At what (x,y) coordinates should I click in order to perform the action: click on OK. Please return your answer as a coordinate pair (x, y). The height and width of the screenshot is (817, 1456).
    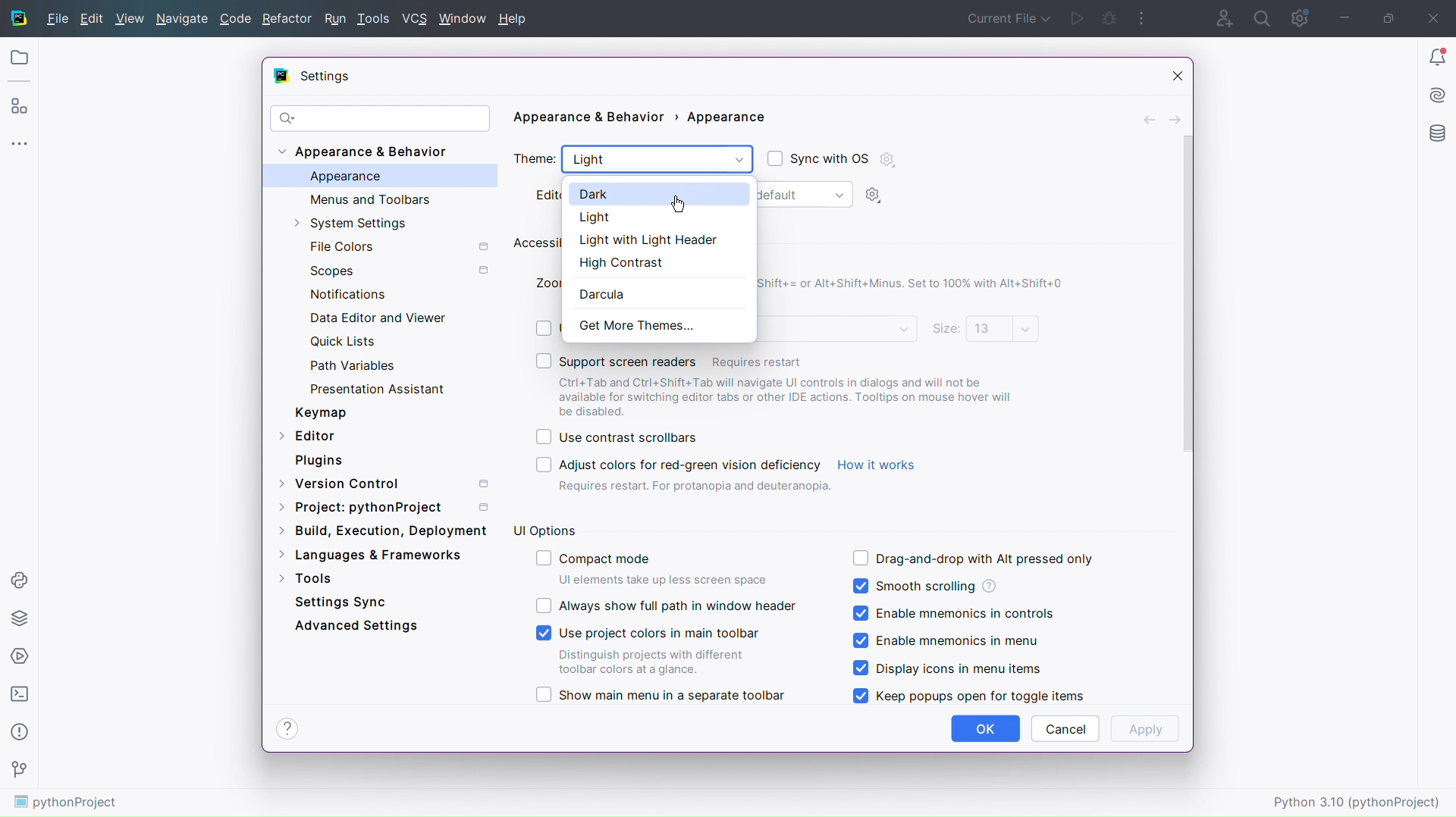
    Looking at the image, I should click on (986, 729).